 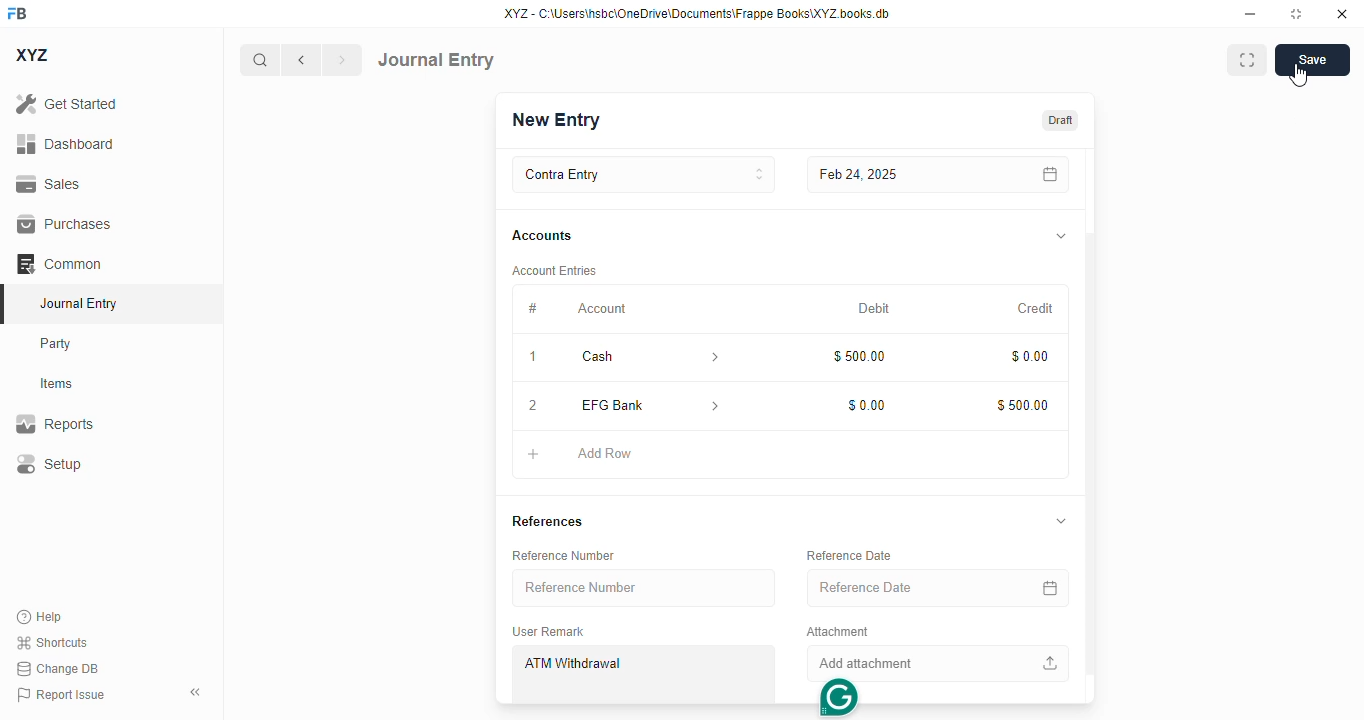 What do you see at coordinates (838, 633) in the screenshot?
I see `attachment` at bounding box center [838, 633].